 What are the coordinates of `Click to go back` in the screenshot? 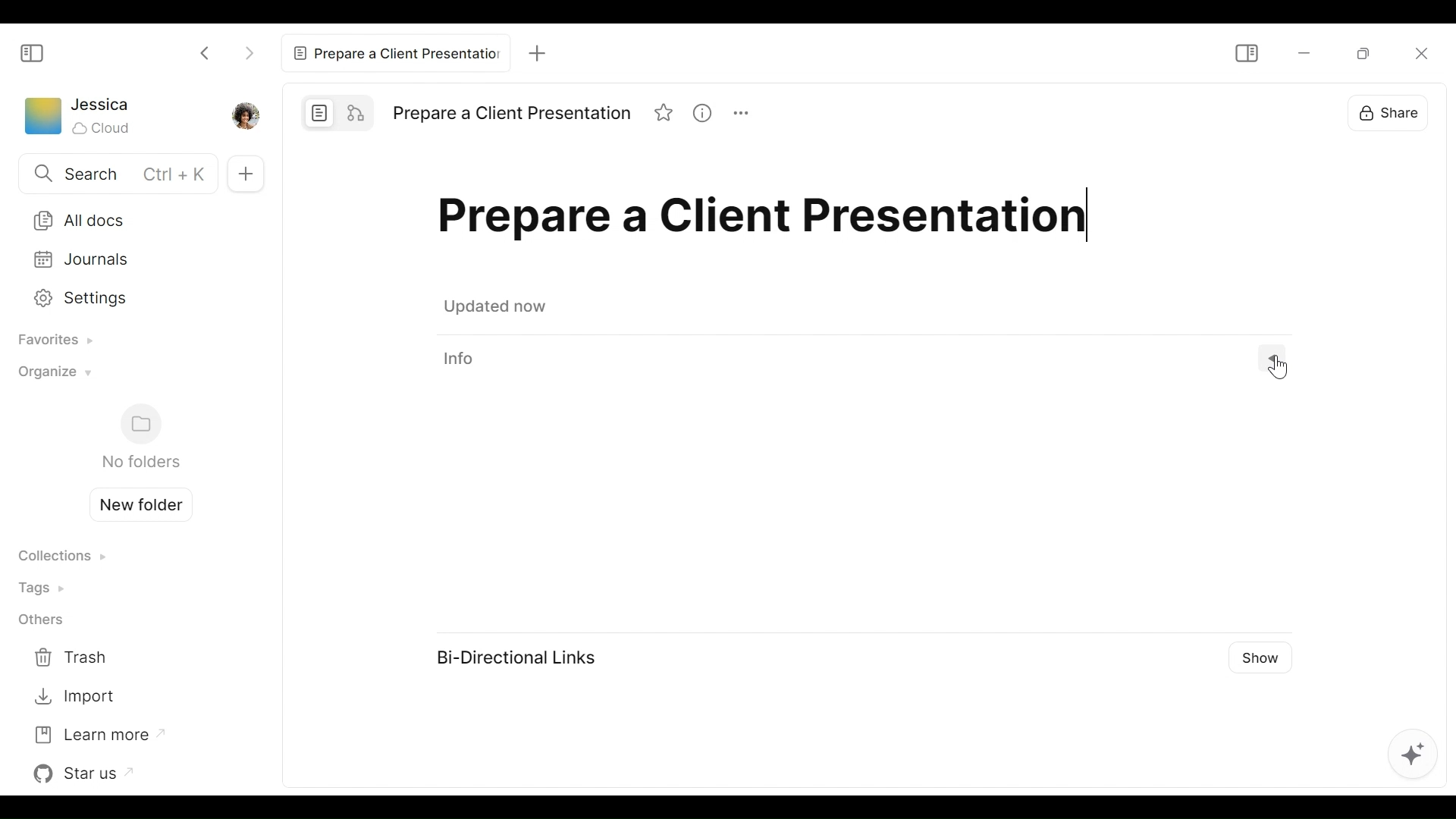 It's located at (206, 52).